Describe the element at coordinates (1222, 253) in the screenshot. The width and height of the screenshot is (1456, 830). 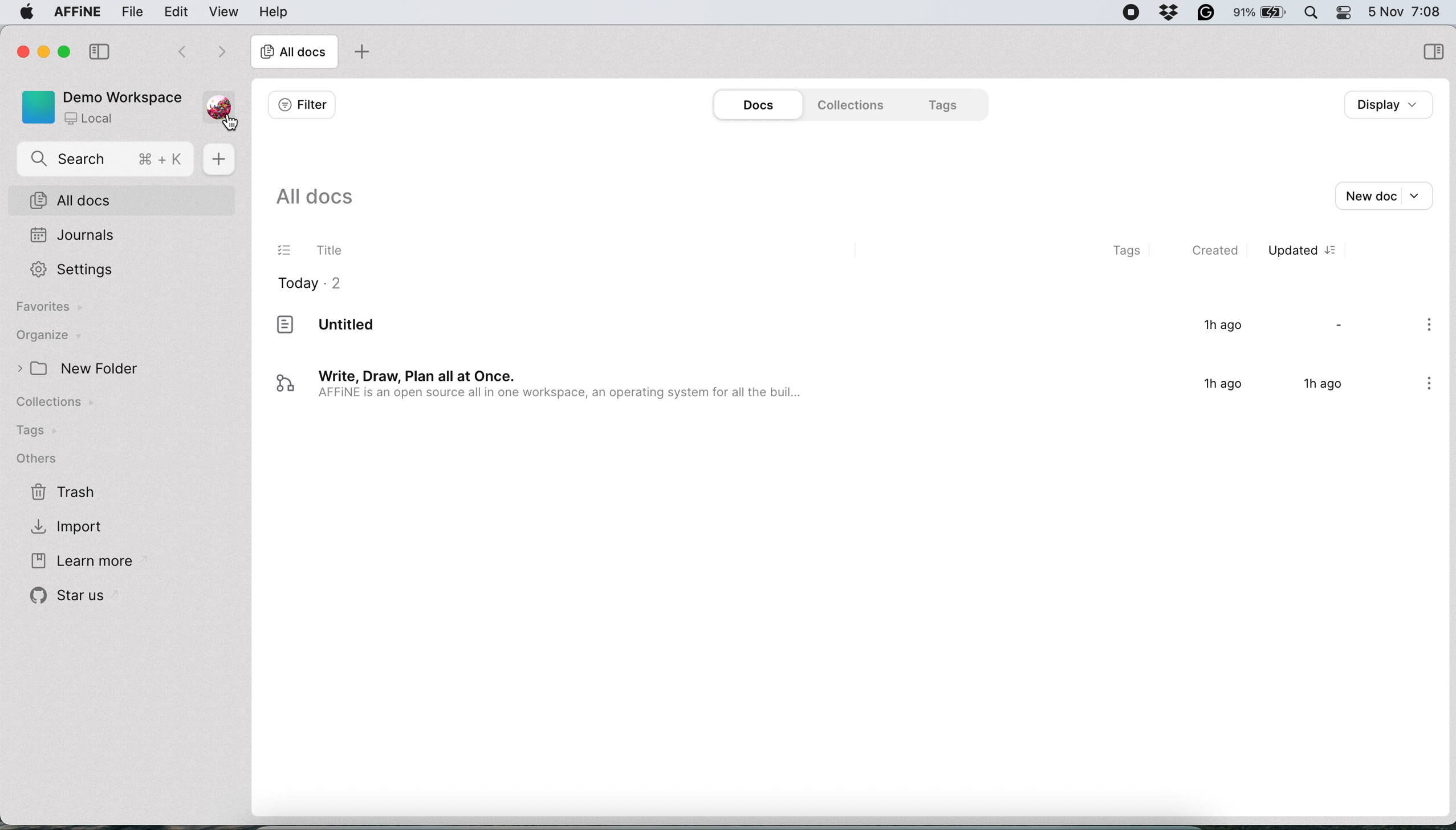
I see `created` at that location.